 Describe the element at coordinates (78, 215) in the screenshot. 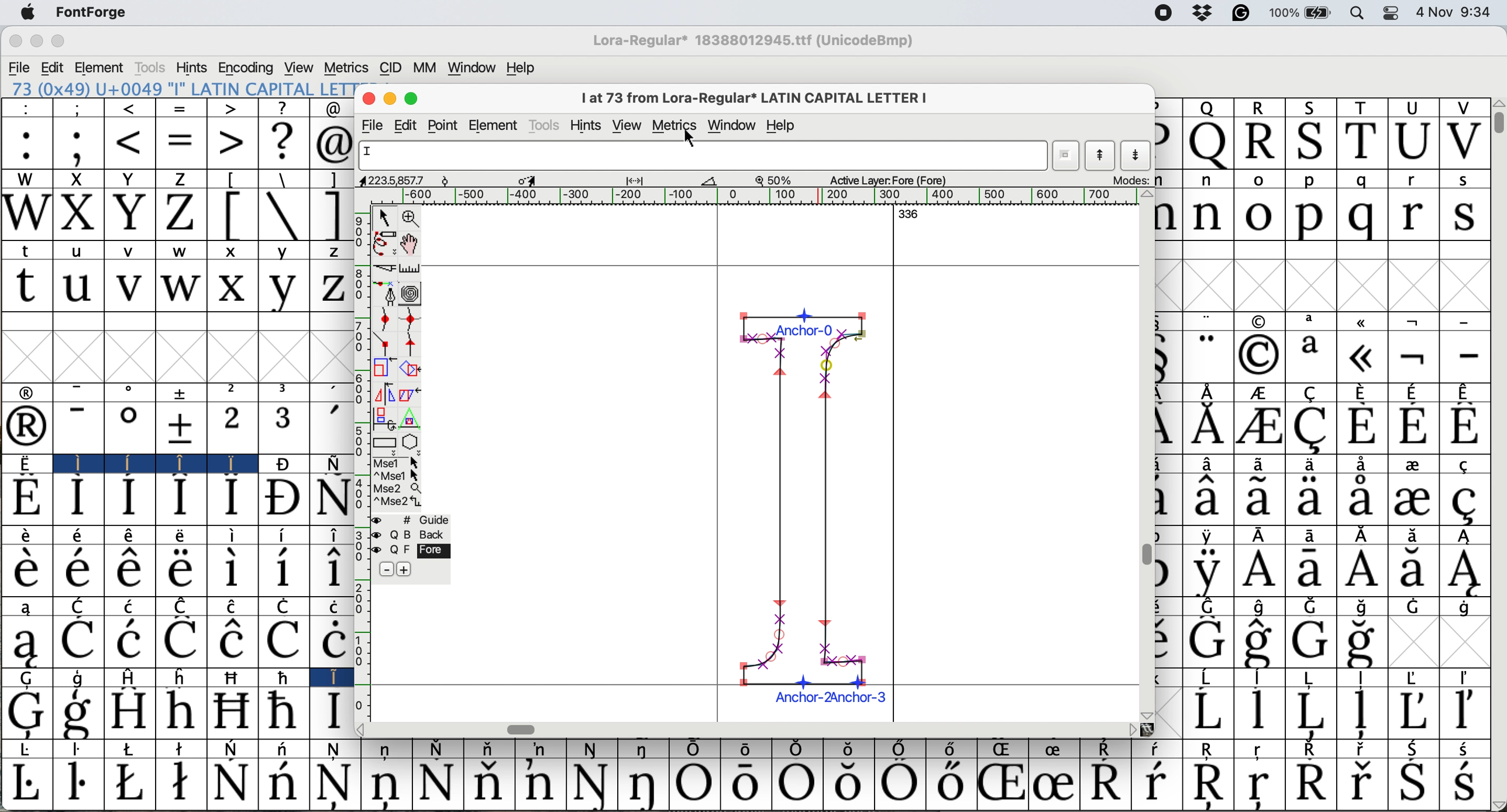

I see `X` at that location.